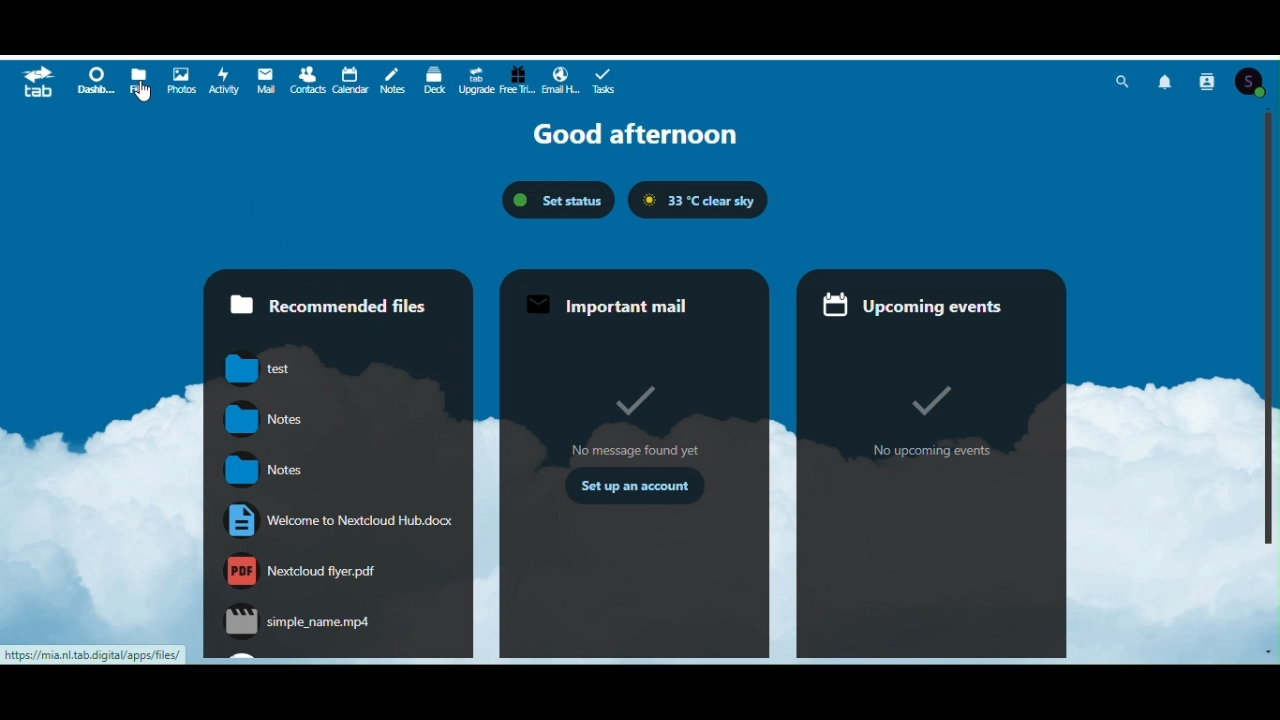 This screenshot has width=1280, height=720. I want to click on URL, so click(94, 655).